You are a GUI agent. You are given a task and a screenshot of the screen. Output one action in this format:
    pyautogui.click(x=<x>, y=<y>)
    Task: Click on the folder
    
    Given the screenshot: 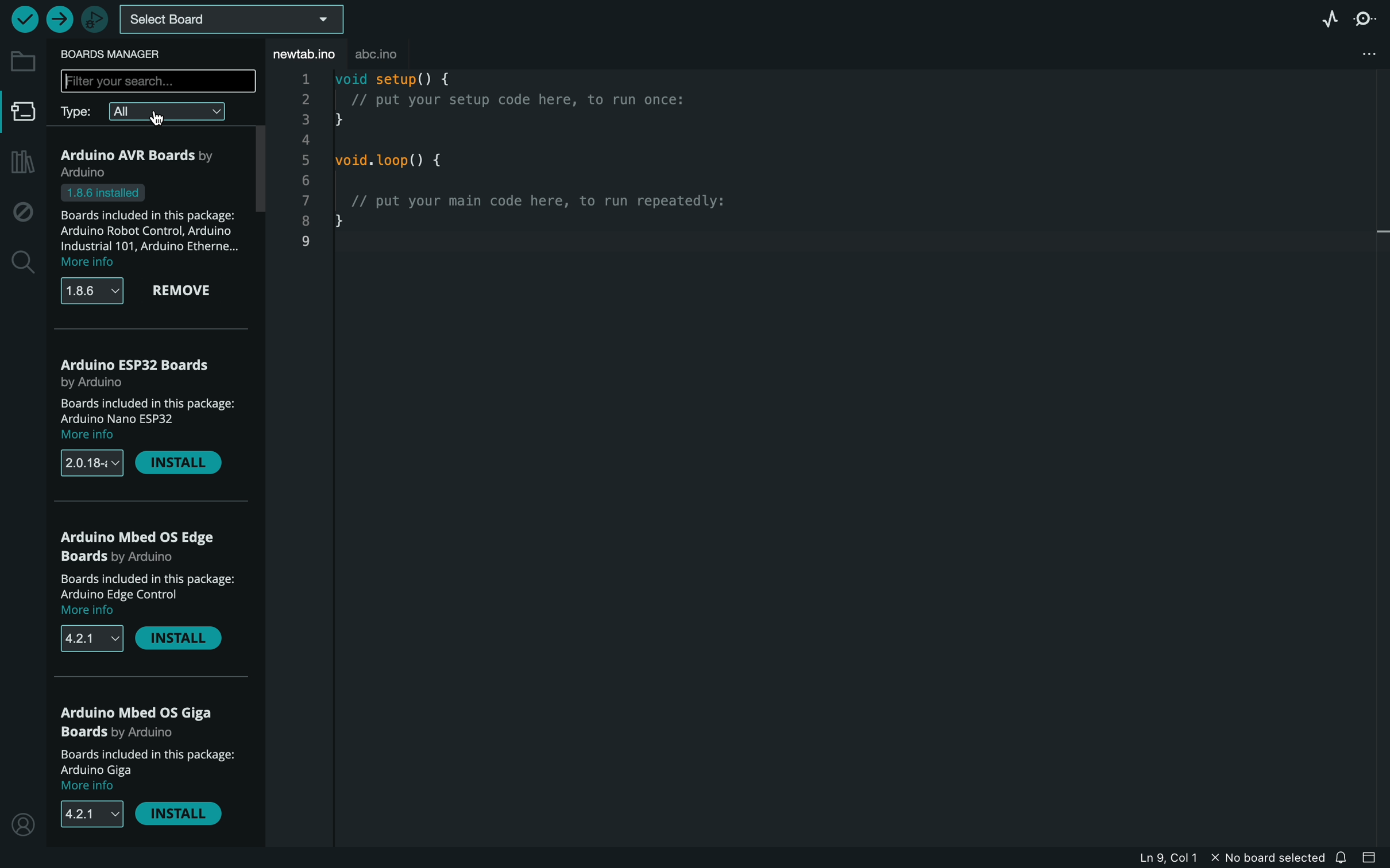 What is the action you would take?
    pyautogui.click(x=21, y=63)
    